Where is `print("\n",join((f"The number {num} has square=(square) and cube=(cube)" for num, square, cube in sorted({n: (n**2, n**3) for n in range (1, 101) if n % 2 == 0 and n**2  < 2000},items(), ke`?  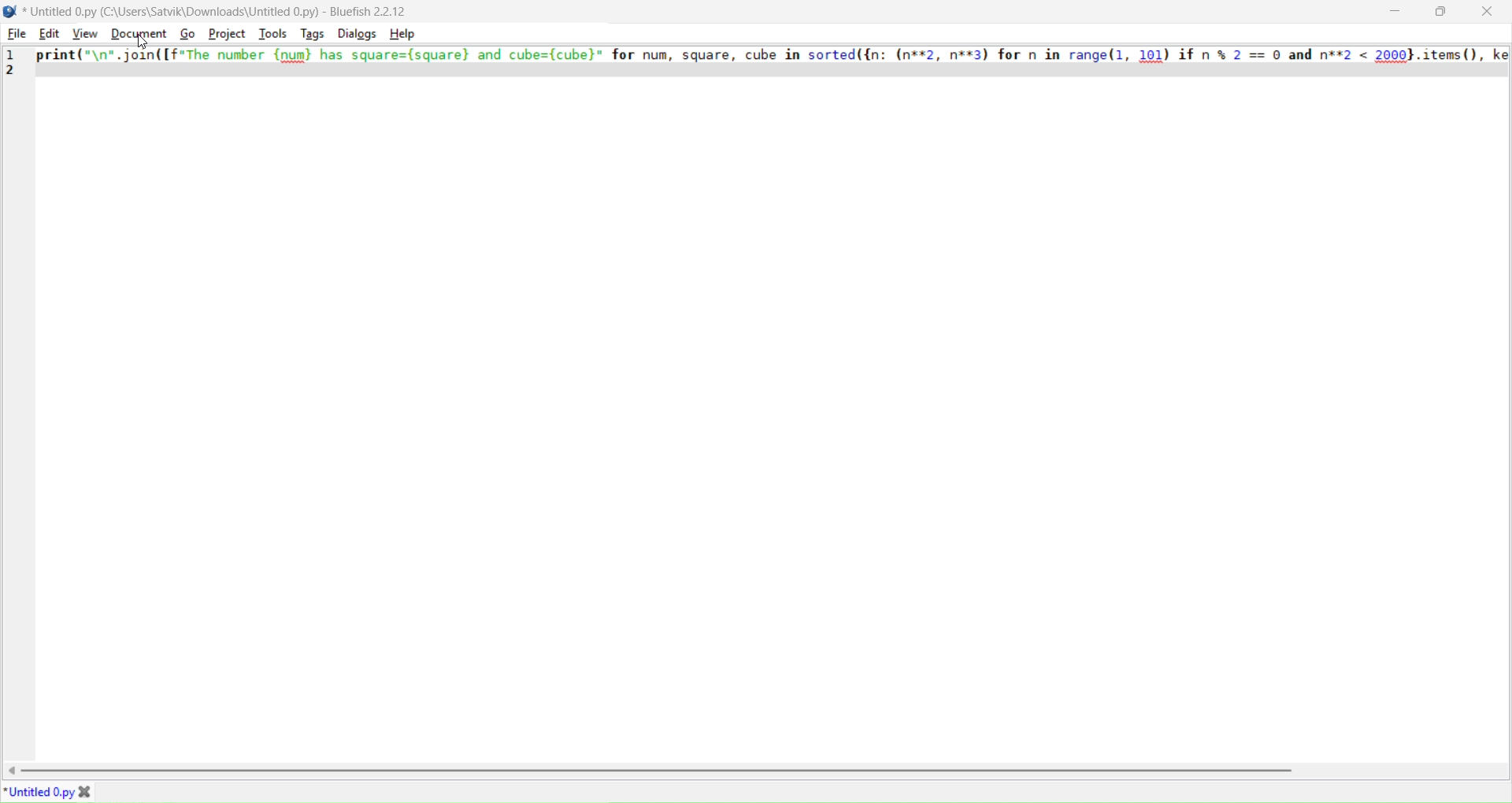
print("\n",join((f"The number {num} has square=(square) and cube=(cube)" for num, square, cube in sorted({n: (n**2, n**3) for n in range (1, 101) if n % 2 == 0 and n**2  < 2000},items(), ke is located at coordinates (773, 54).